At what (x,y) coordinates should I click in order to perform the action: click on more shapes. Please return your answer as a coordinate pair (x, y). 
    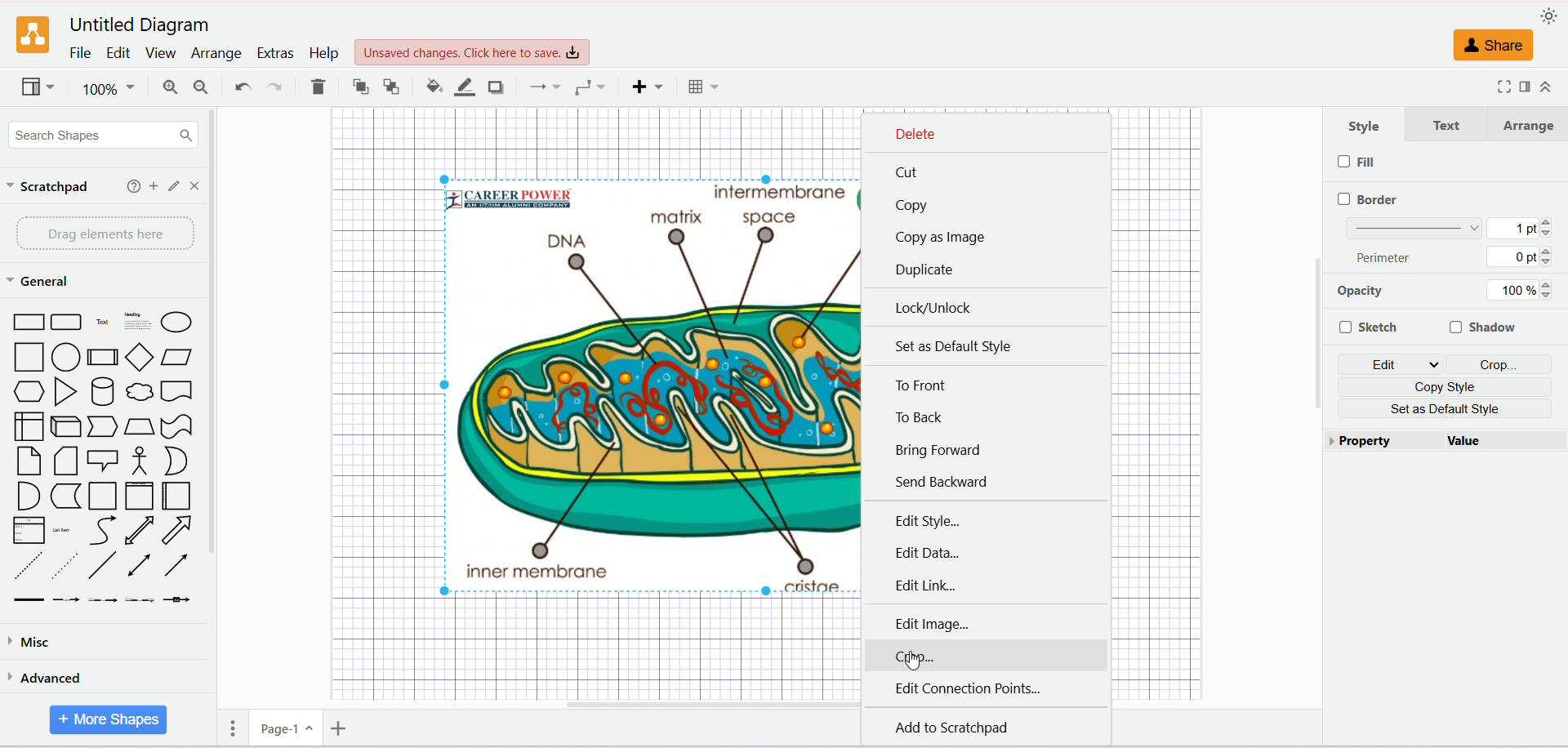
    Looking at the image, I should click on (109, 720).